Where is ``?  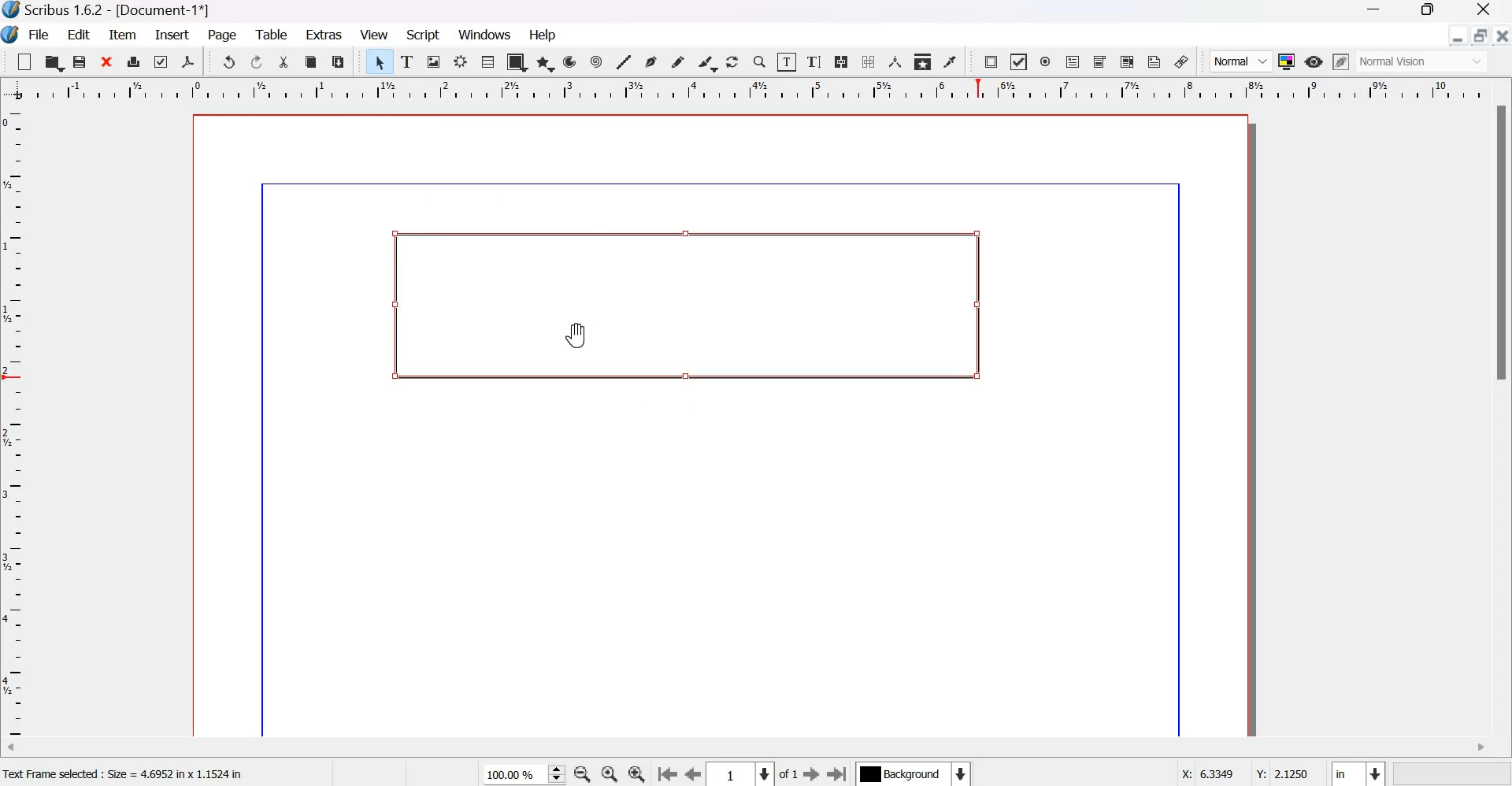  is located at coordinates (759, 61).